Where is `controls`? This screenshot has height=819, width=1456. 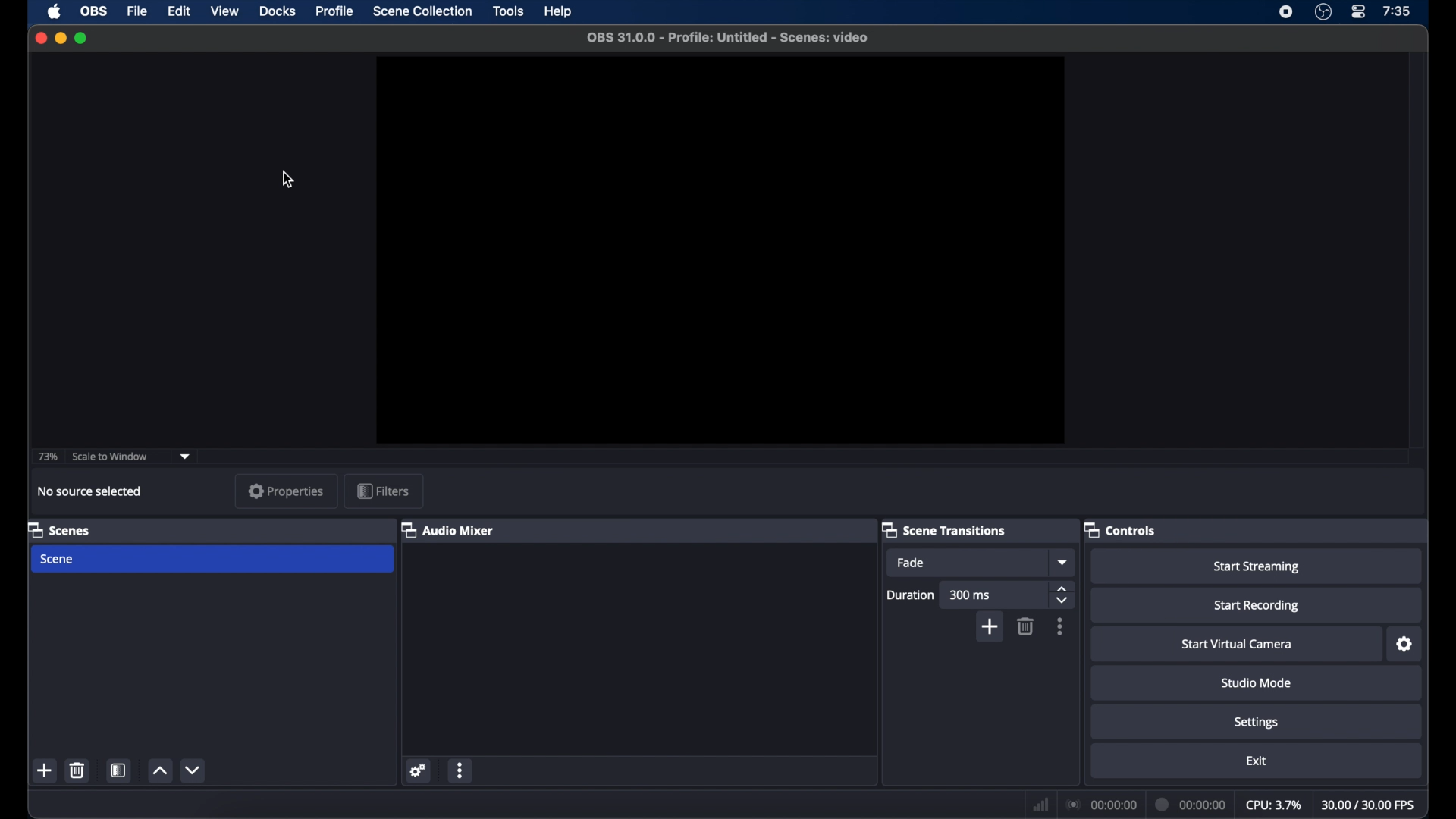 controls is located at coordinates (1119, 530).